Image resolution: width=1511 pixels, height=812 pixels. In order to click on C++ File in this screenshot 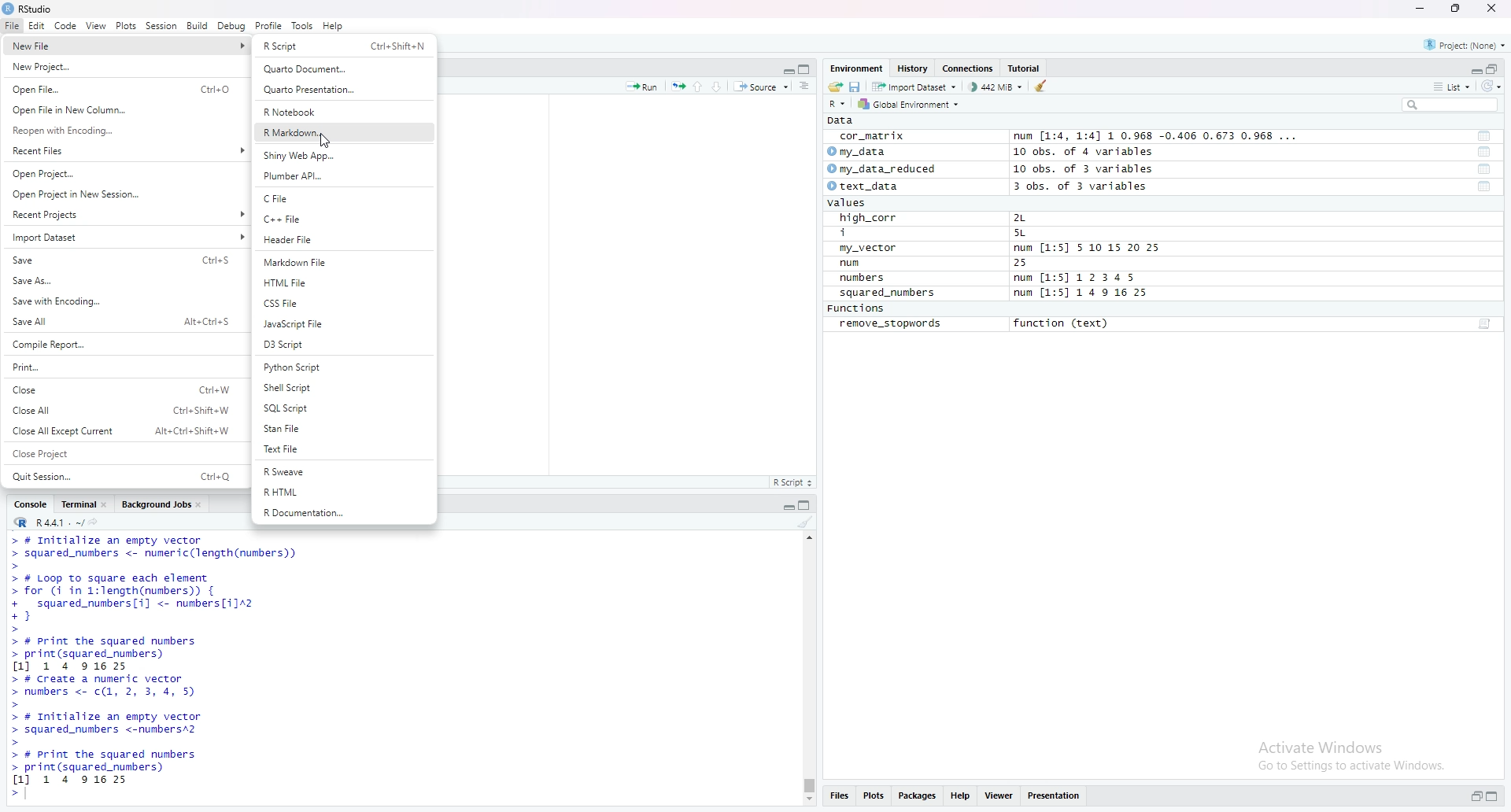, I will do `click(345, 221)`.